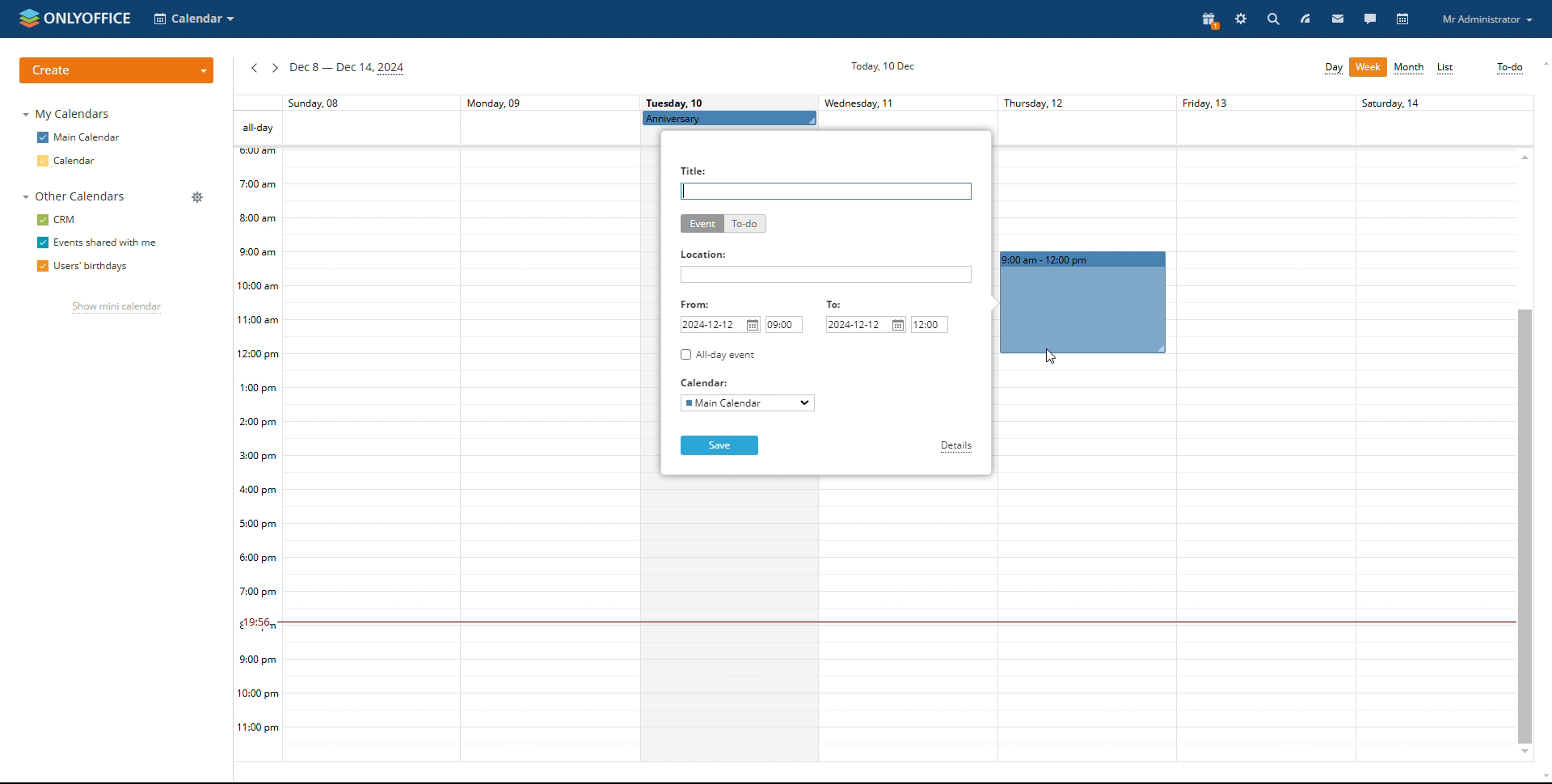 The width and height of the screenshot is (1552, 784). Describe the element at coordinates (879, 67) in the screenshot. I see `current date` at that location.